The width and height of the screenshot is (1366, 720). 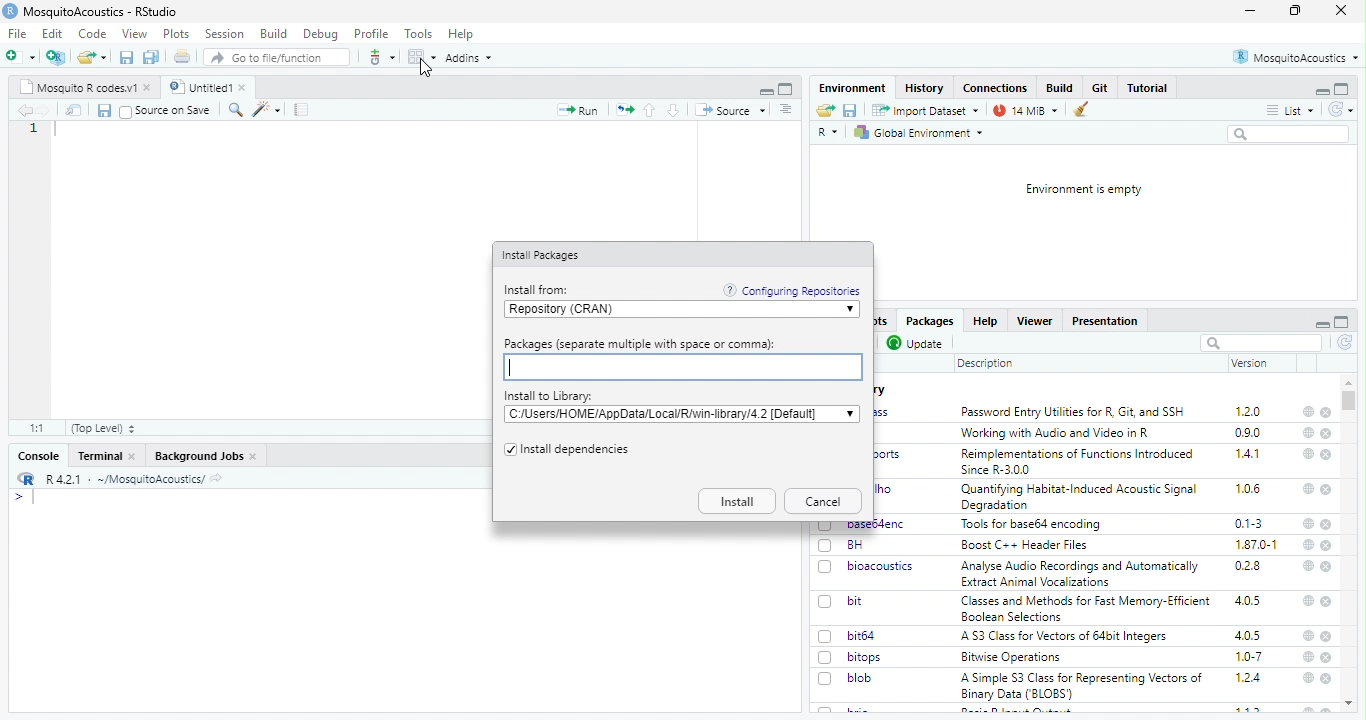 What do you see at coordinates (856, 601) in the screenshot?
I see `bit` at bounding box center [856, 601].